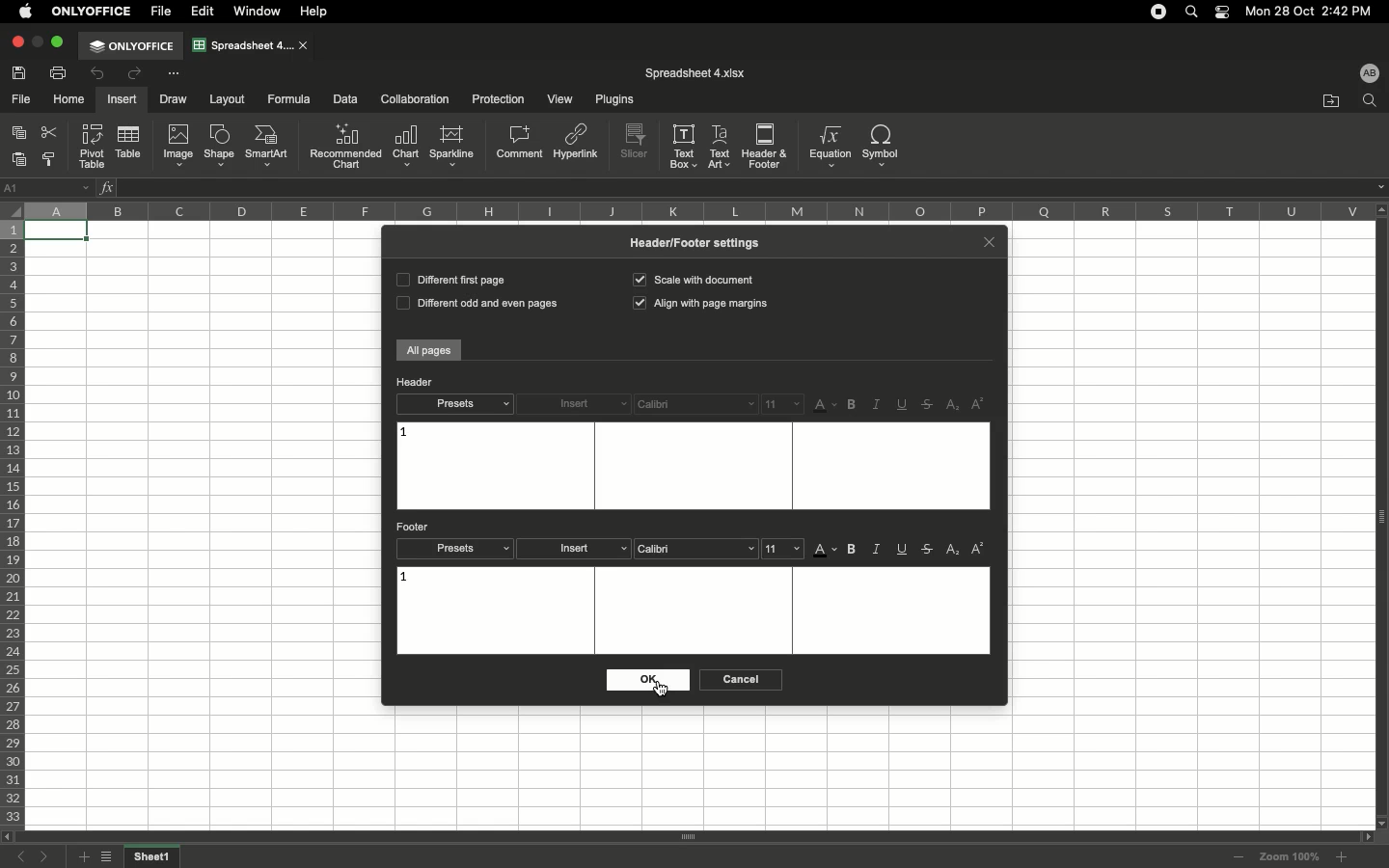  Describe the element at coordinates (854, 405) in the screenshot. I see `Bold` at that location.